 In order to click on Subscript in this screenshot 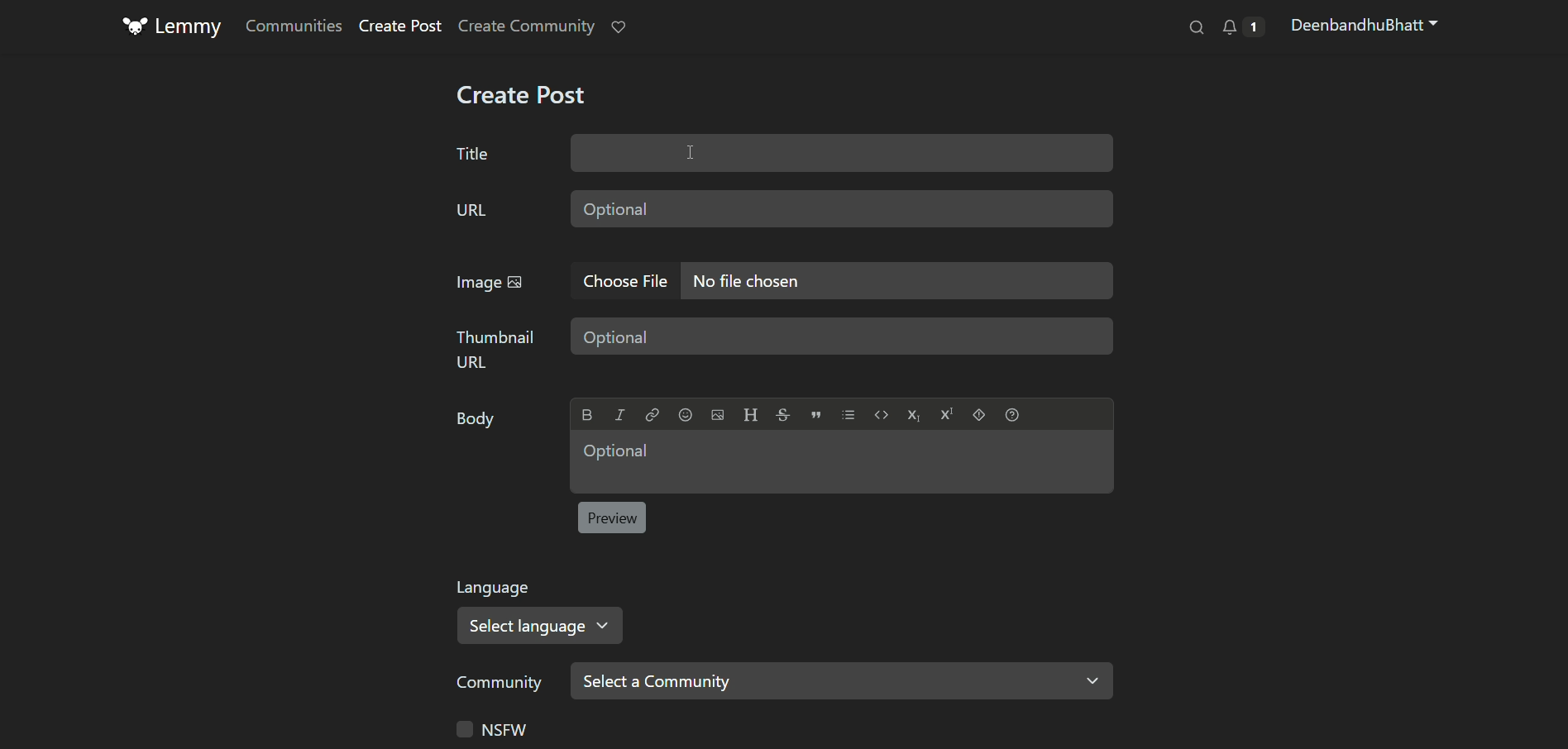, I will do `click(913, 416)`.